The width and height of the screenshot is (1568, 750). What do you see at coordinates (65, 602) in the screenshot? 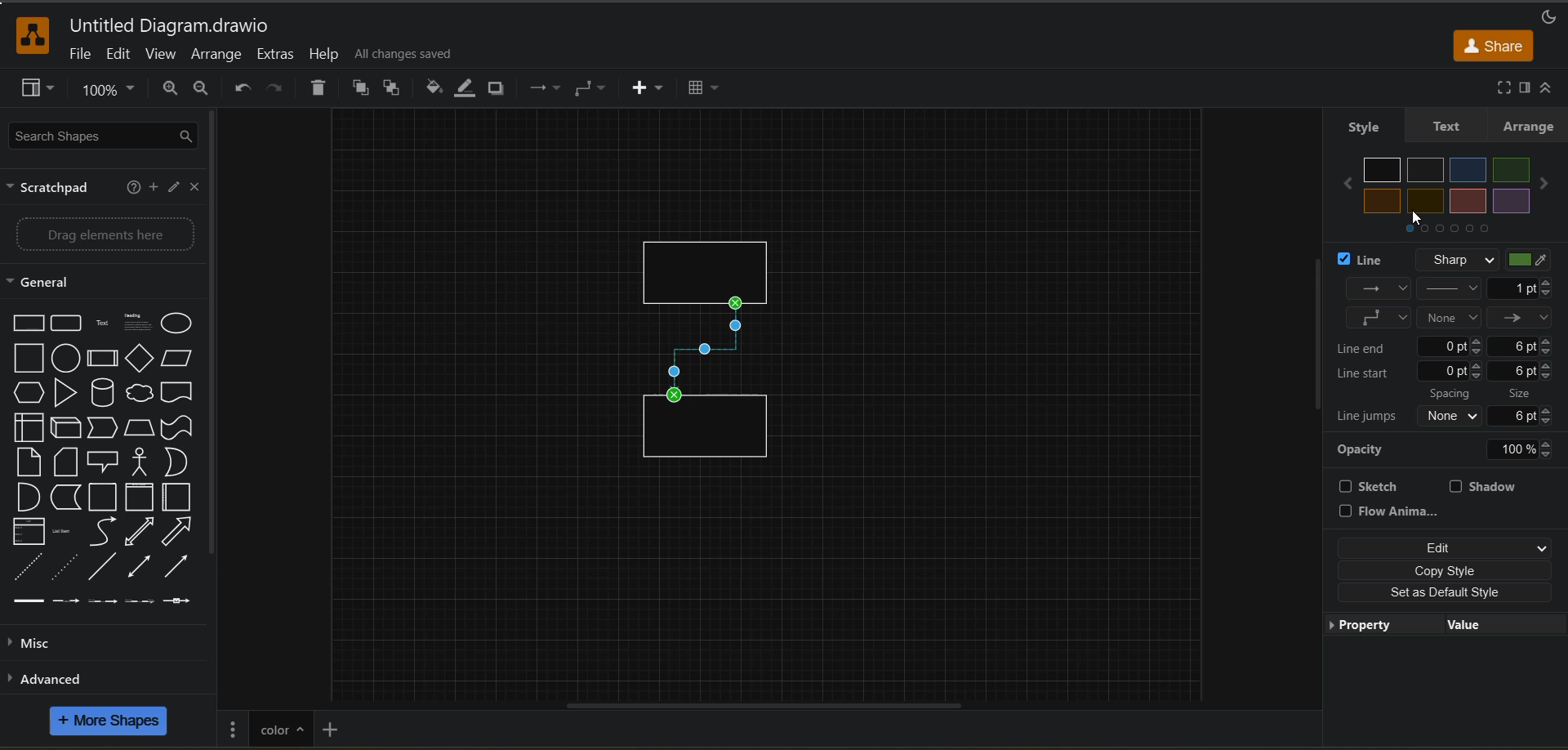
I see `Connector with label` at bounding box center [65, 602].